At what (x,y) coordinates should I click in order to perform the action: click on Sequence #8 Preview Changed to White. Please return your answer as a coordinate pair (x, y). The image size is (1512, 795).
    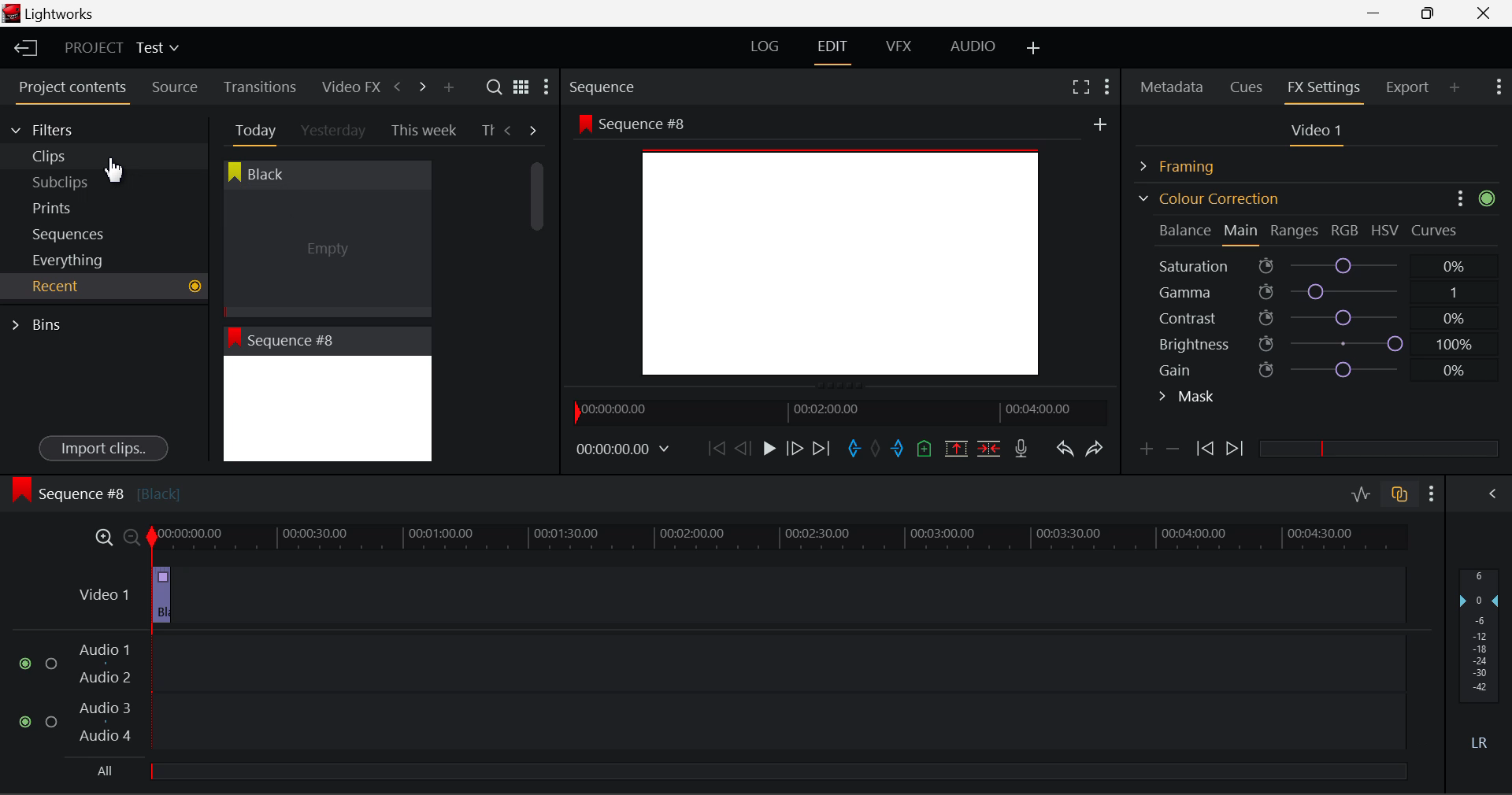
    Looking at the image, I should click on (327, 394).